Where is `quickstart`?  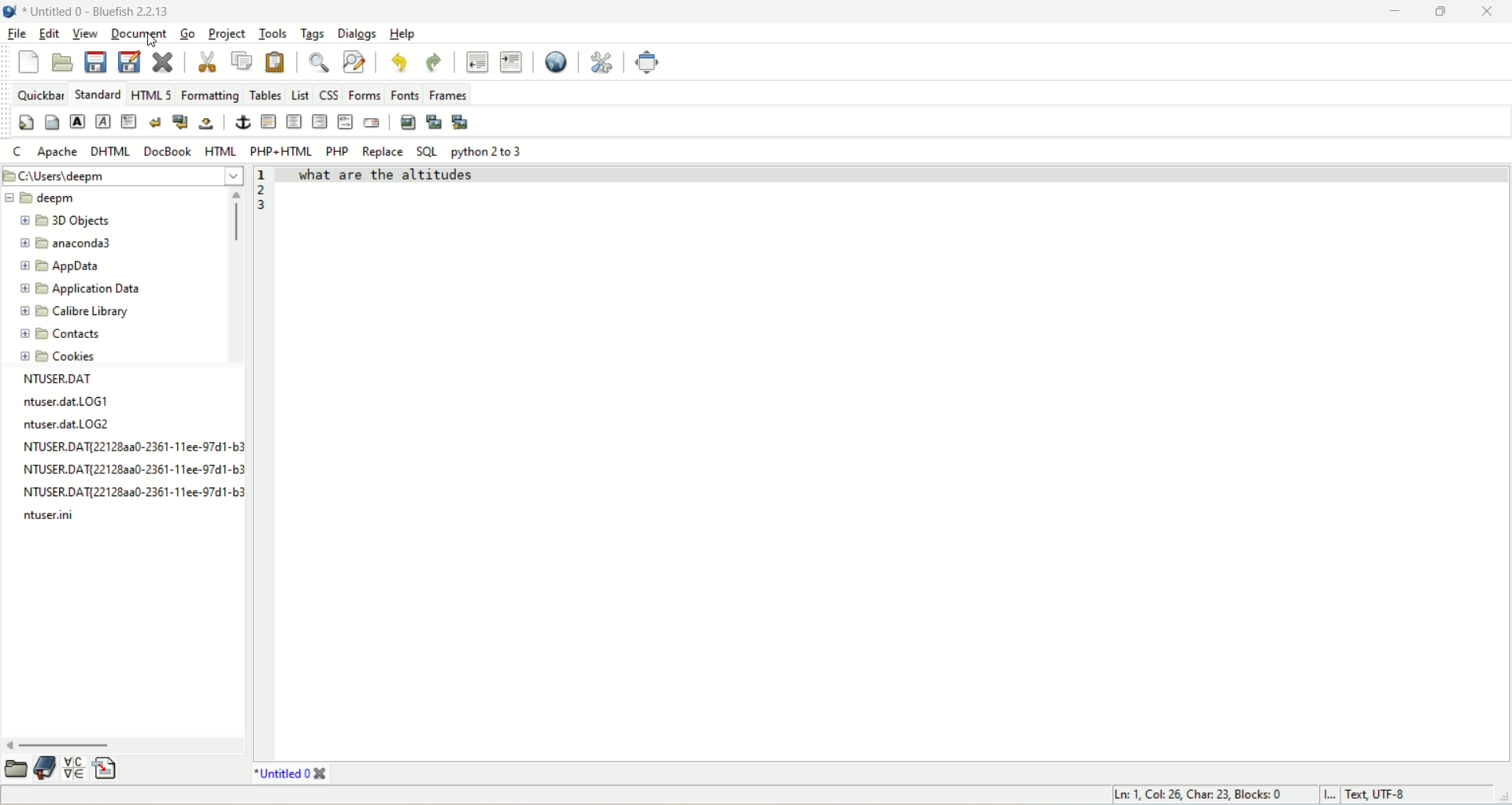 quickstart is located at coordinates (27, 121).